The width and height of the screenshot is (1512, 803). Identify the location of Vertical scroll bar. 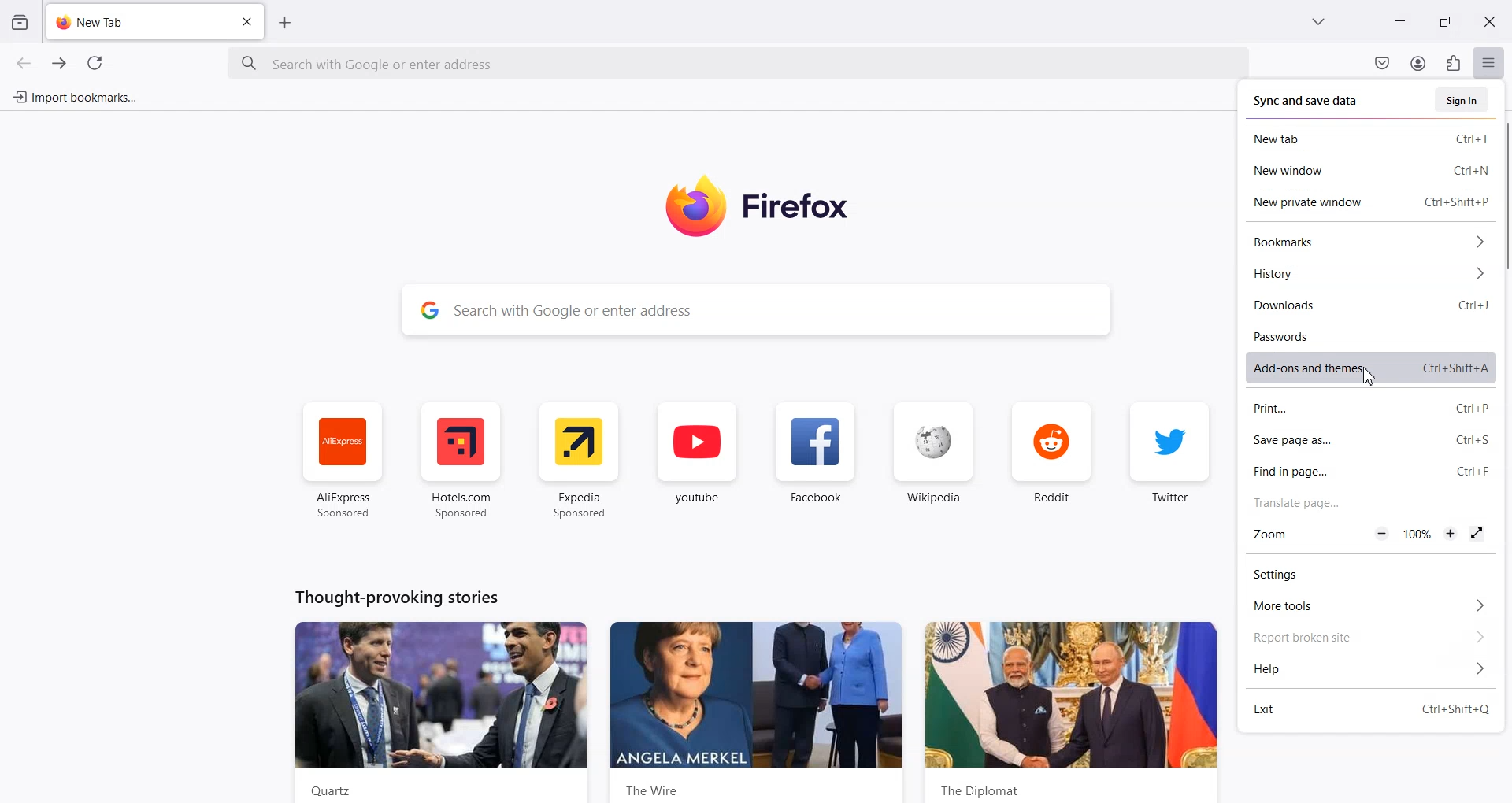
(1503, 457).